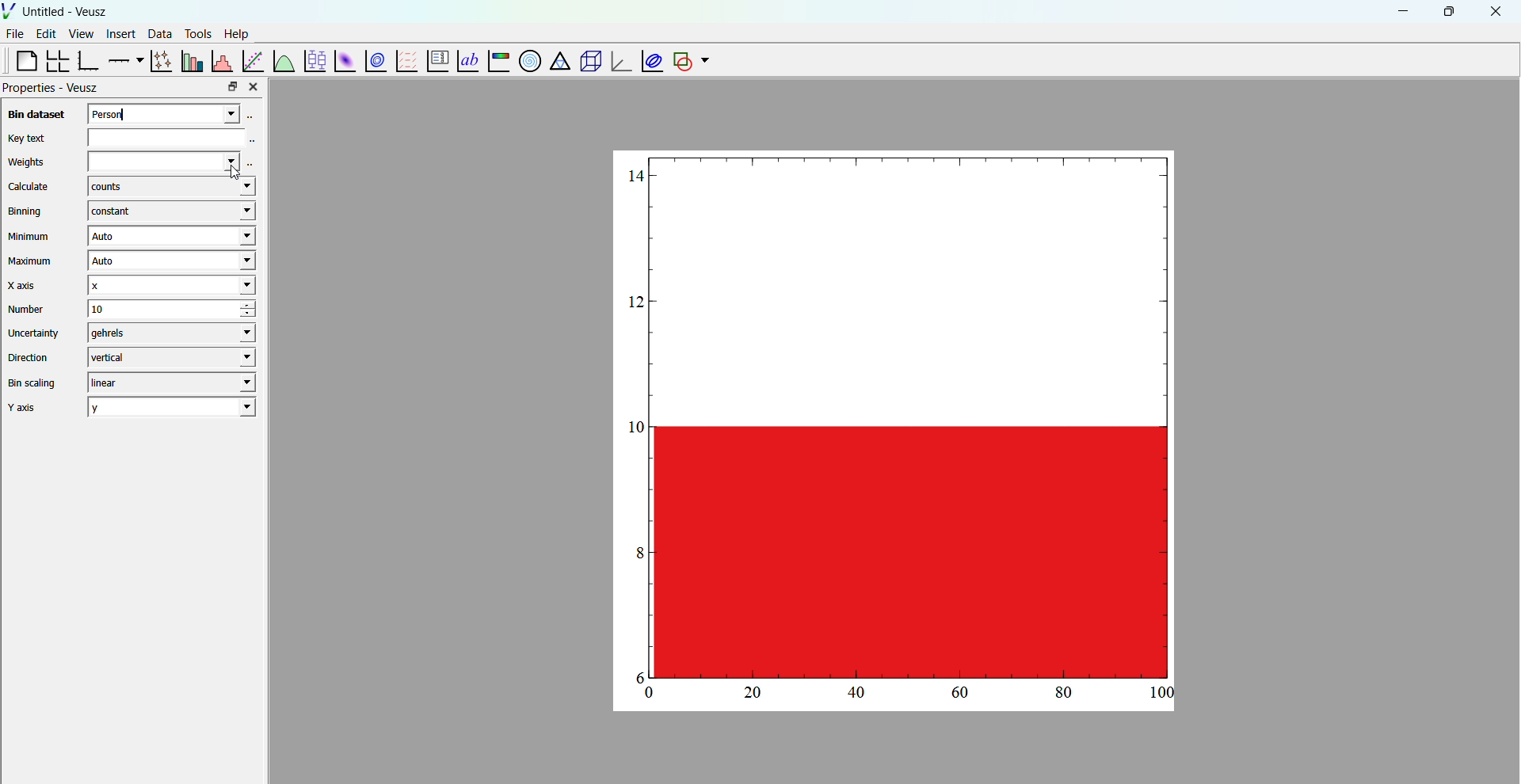  What do you see at coordinates (497, 63) in the screenshot?
I see `image color graph` at bounding box center [497, 63].